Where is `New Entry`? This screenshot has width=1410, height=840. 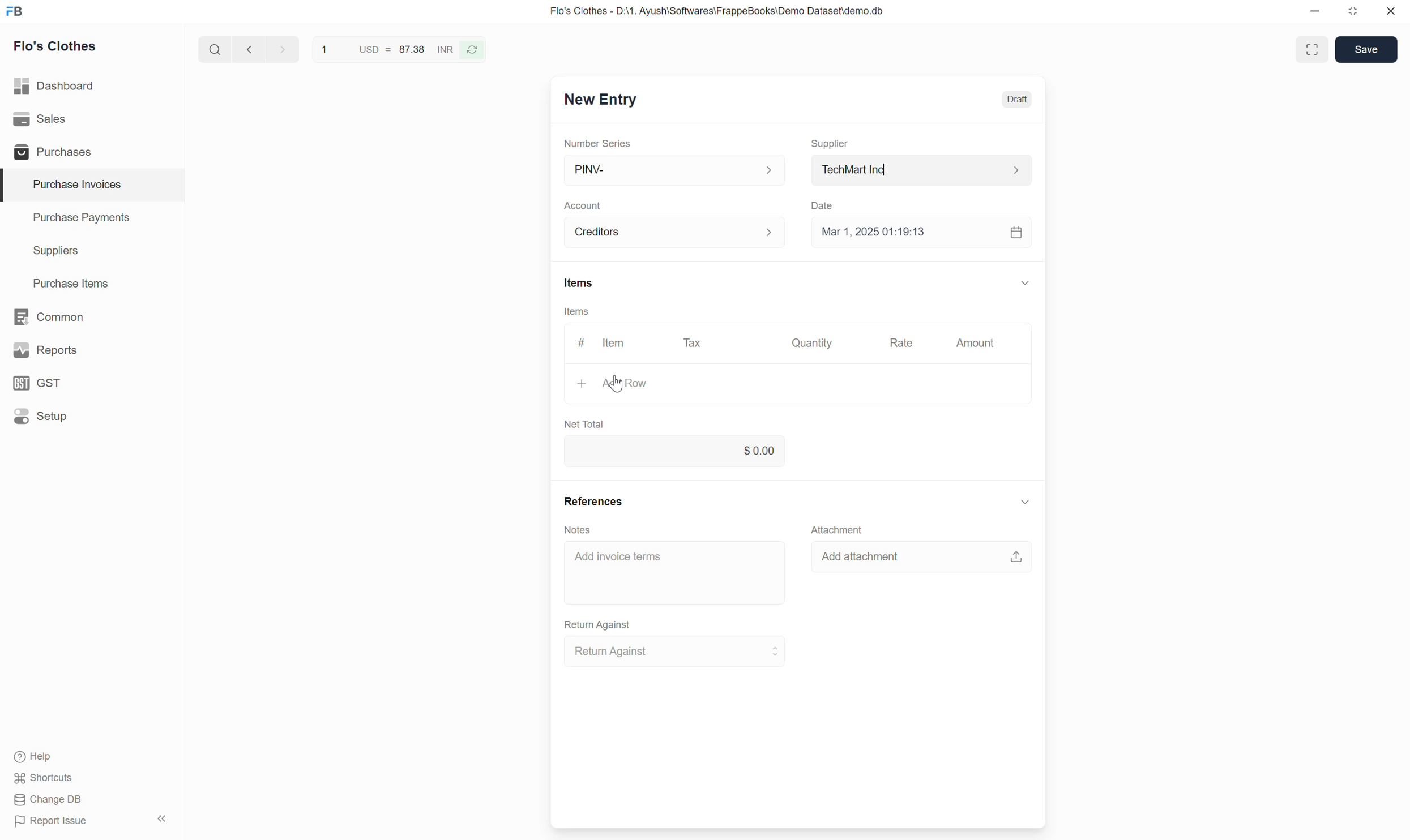 New Entry is located at coordinates (599, 101).